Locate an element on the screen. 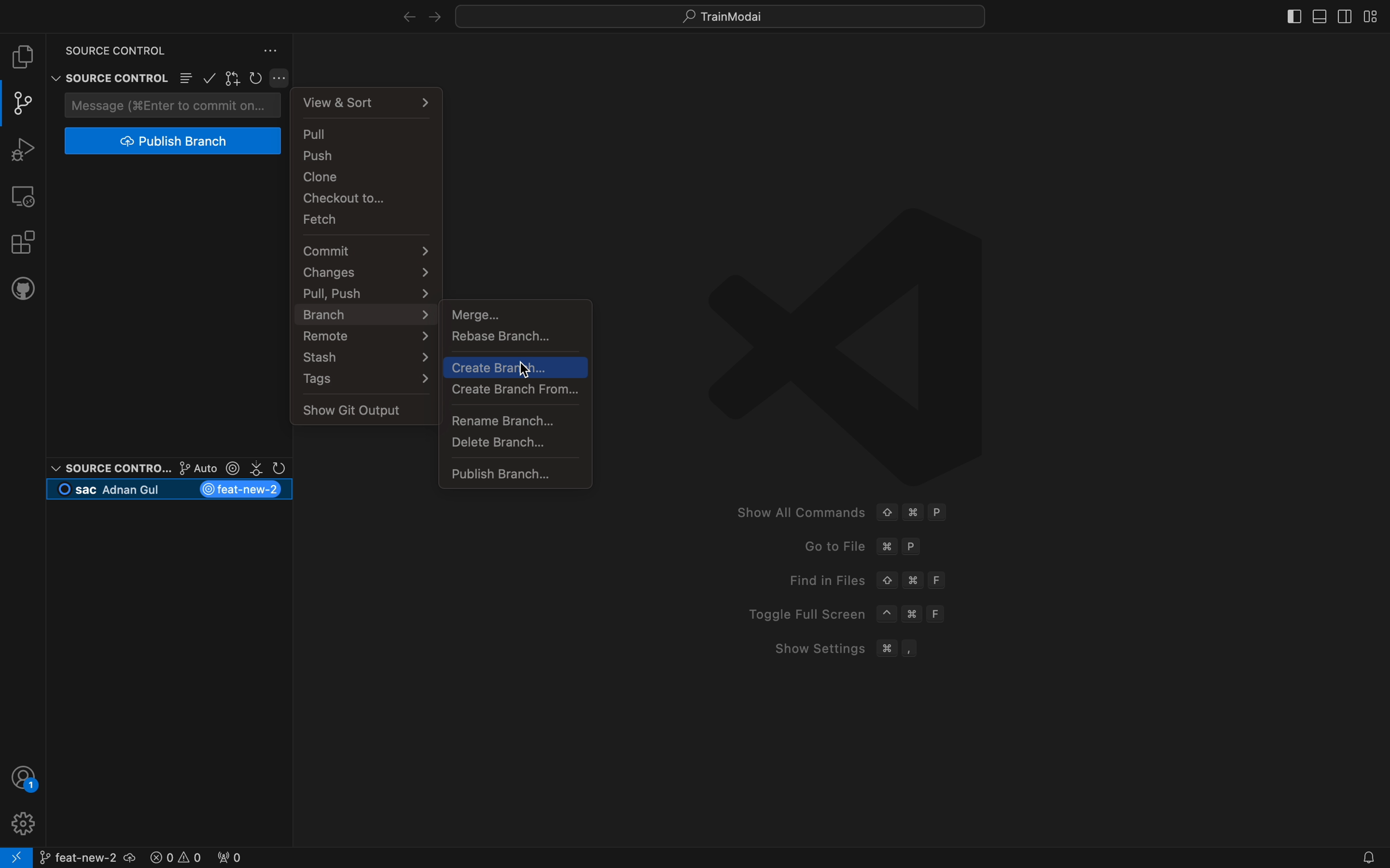  changes is located at coordinates (365, 272).